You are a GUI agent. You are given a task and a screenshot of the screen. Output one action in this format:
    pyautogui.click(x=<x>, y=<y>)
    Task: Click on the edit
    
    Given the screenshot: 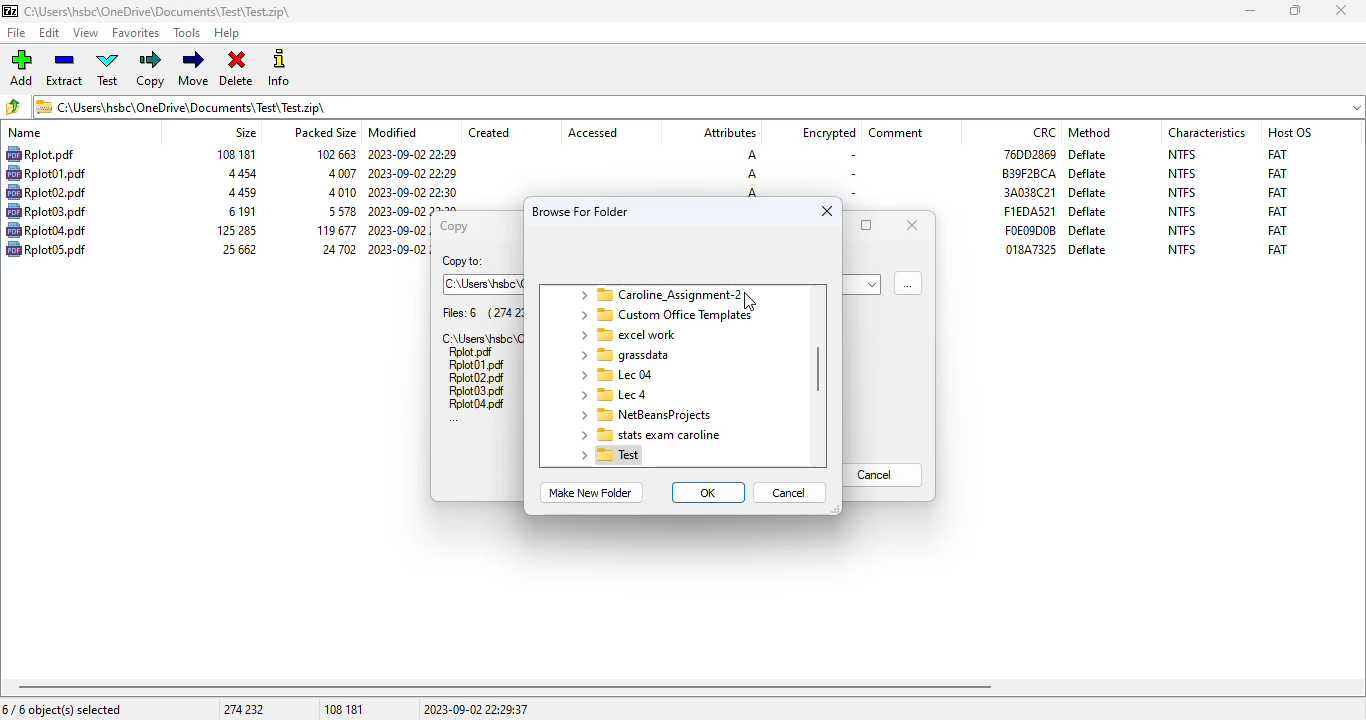 What is the action you would take?
    pyautogui.click(x=50, y=33)
    